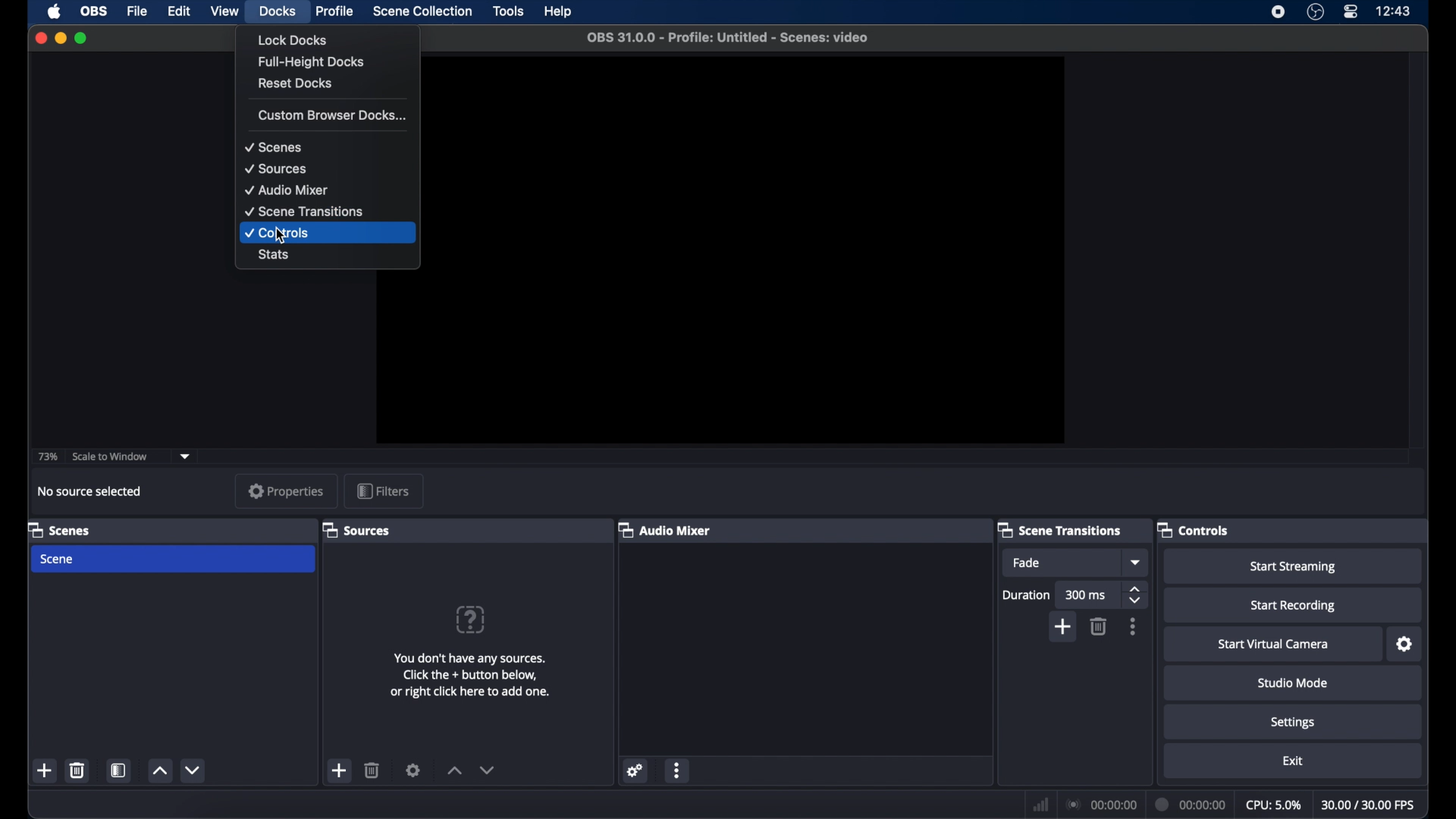  I want to click on settings, so click(1405, 644).